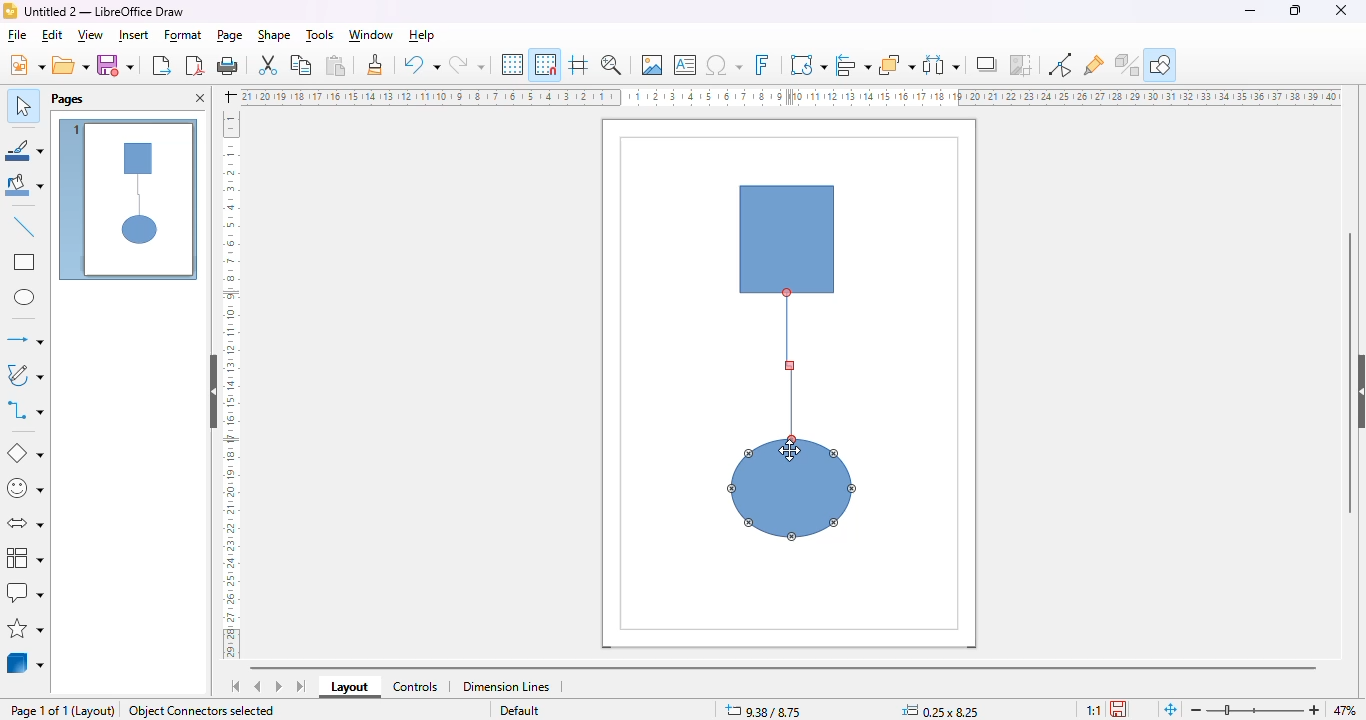 The image size is (1366, 720). I want to click on close, so click(1340, 10).